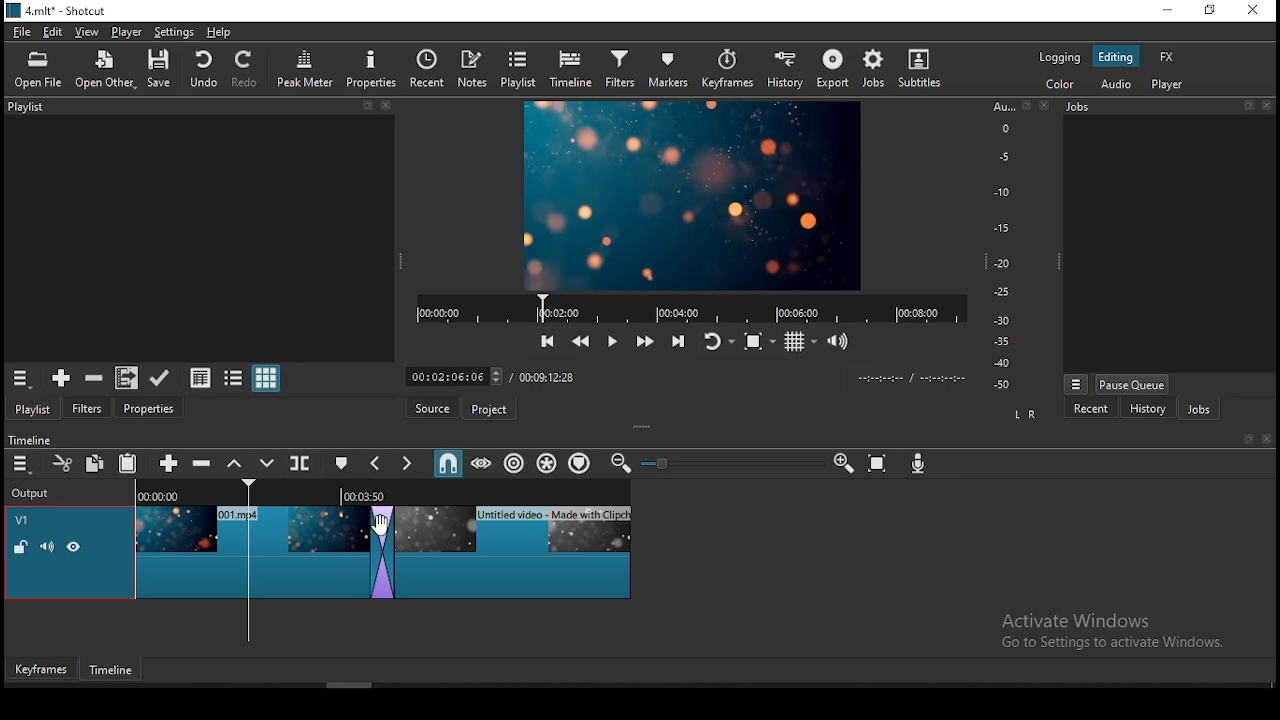 This screenshot has width=1280, height=720. What do you see at coordinates (1007, 243) in the screenshot?
I see `scale` at bounding box center [1007, 243].